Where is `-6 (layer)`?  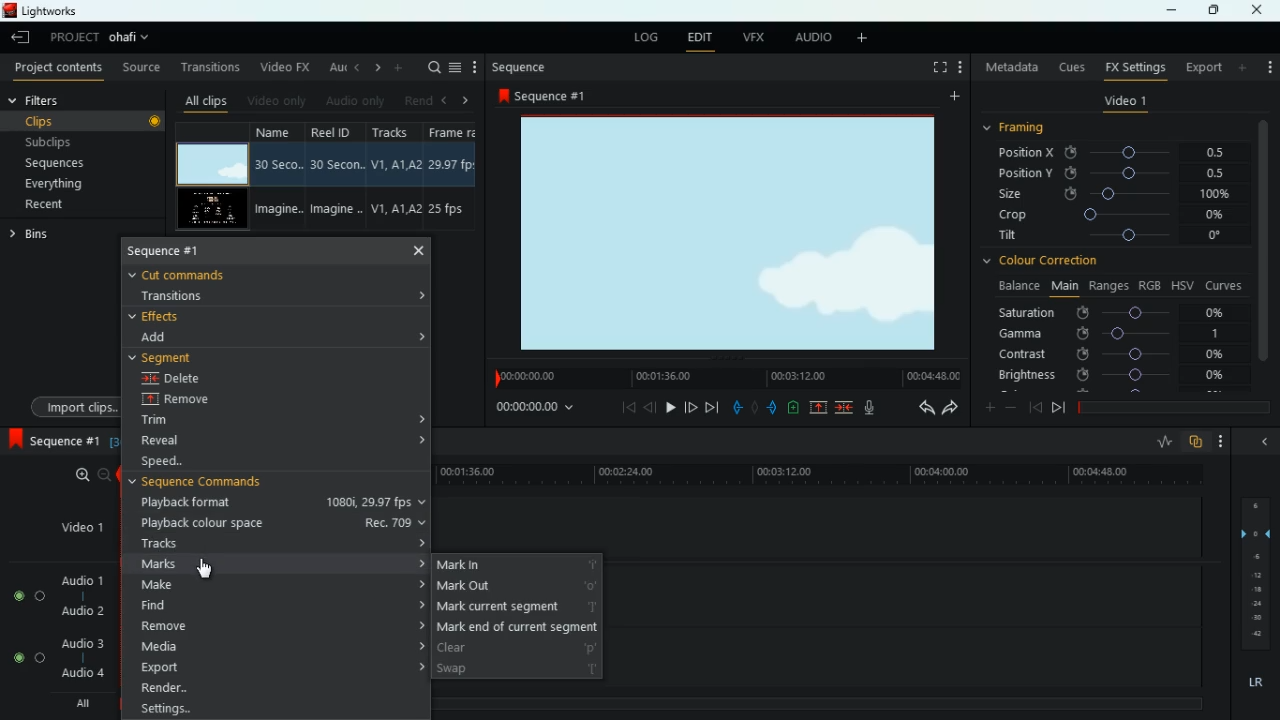
-6 (layer) is located at coordinates (1254, 556).